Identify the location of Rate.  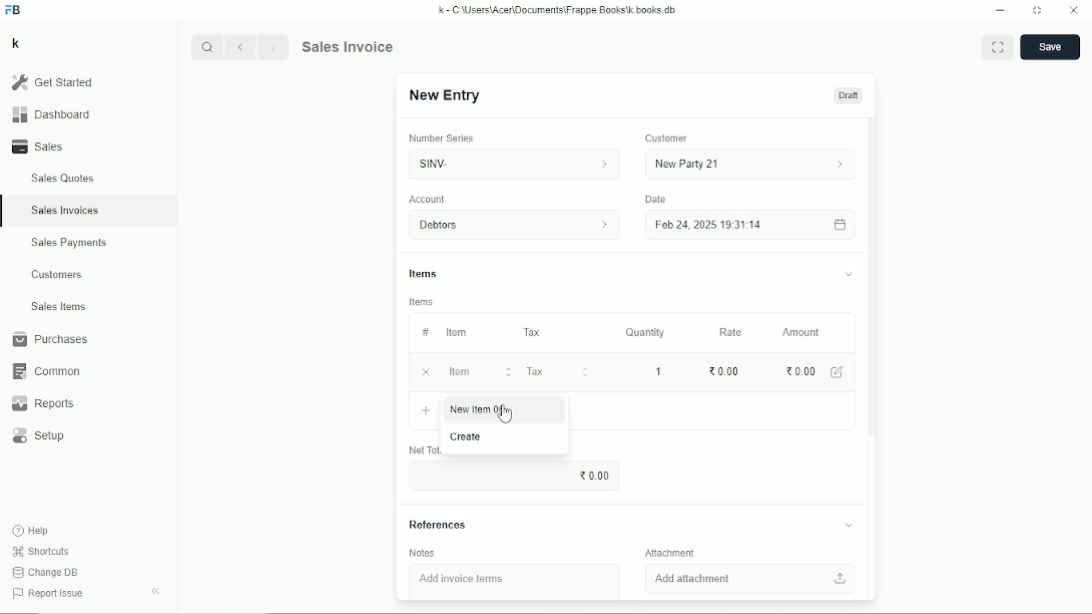
(730, 332).